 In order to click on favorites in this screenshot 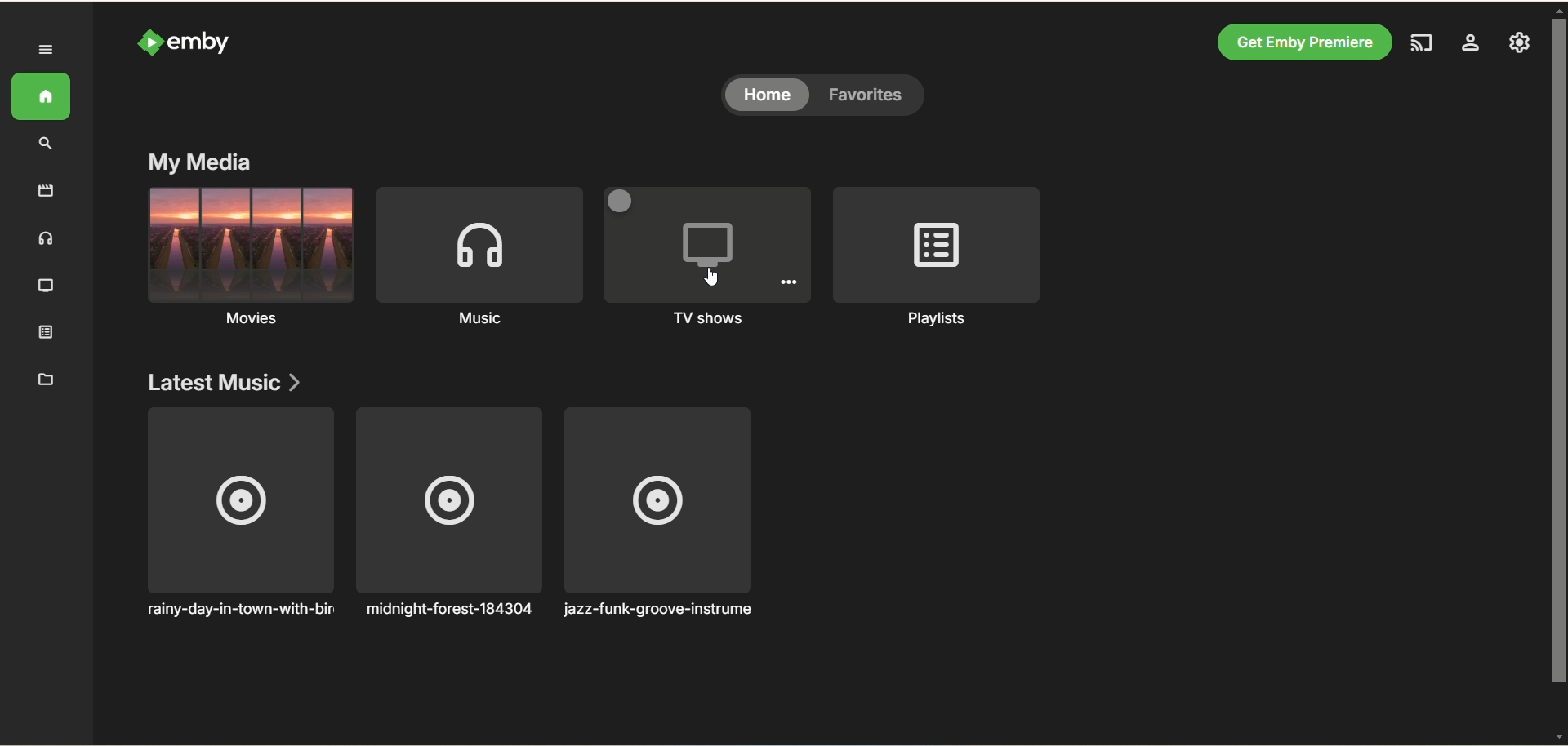, I will do `click(875, 95)`.